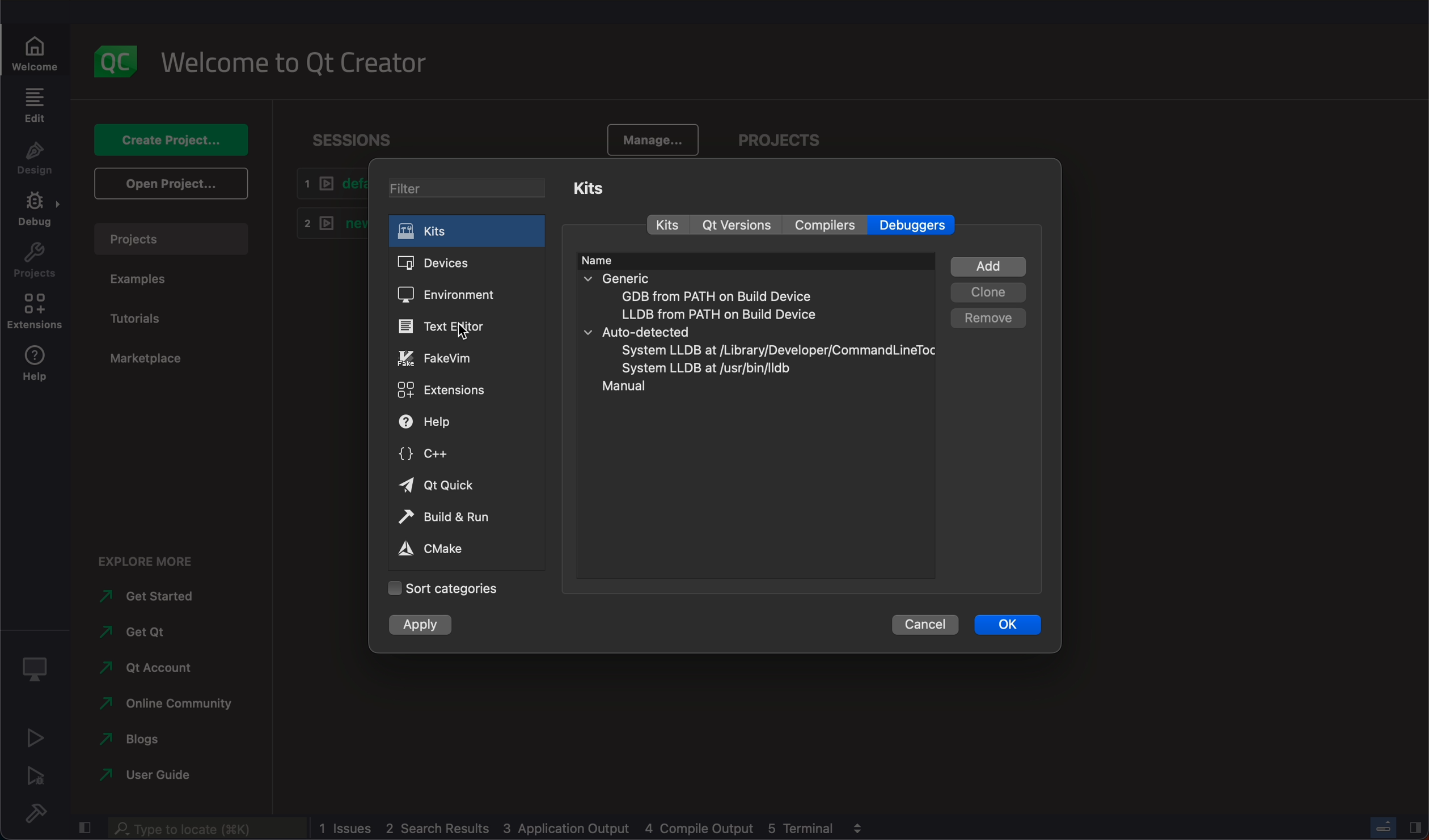 Image resolution: width=1429 pixels, height=840 pixels. I want to click on log, so click(581, 827).